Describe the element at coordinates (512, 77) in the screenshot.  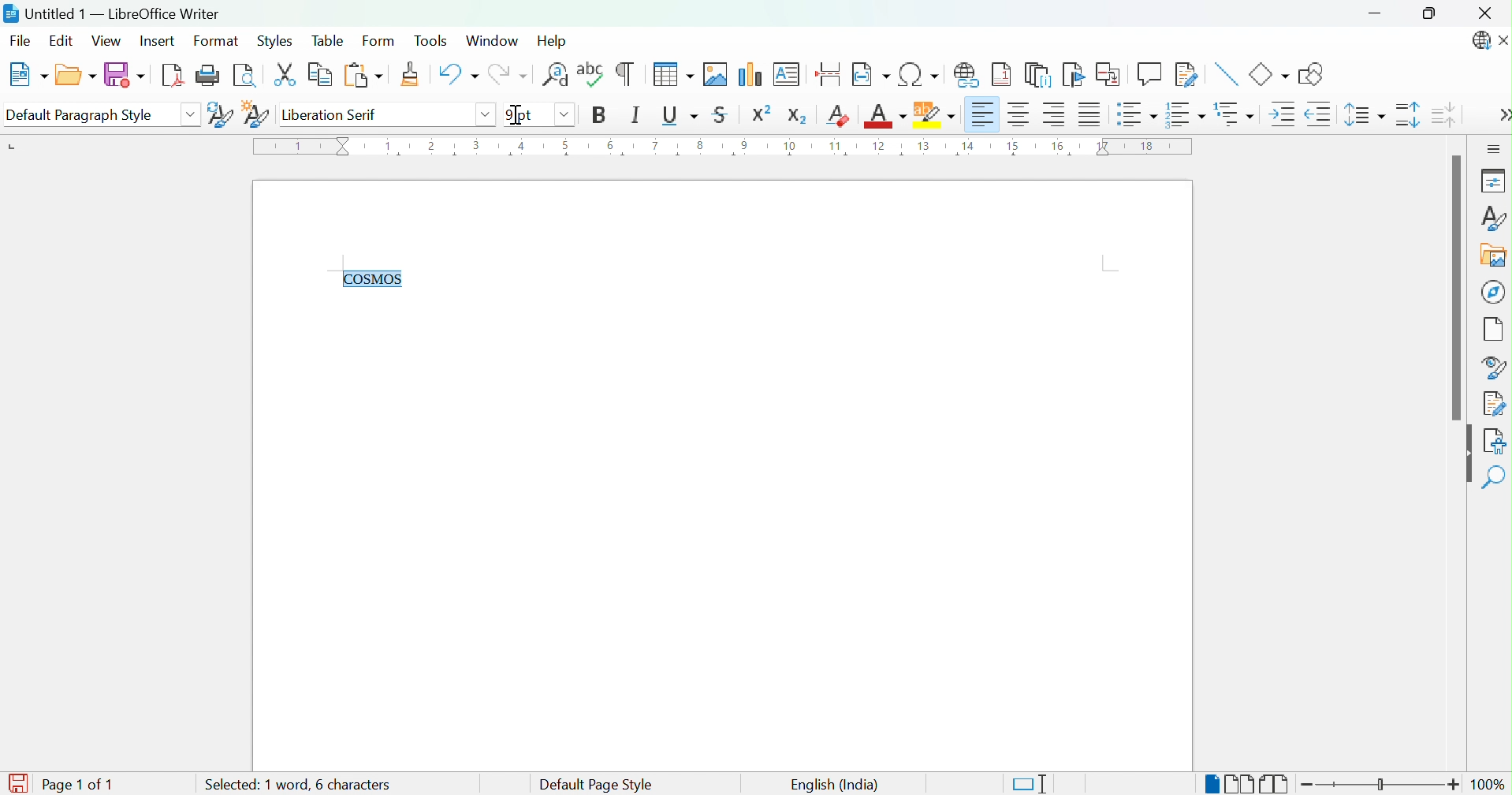
I see `Redo` at that location.